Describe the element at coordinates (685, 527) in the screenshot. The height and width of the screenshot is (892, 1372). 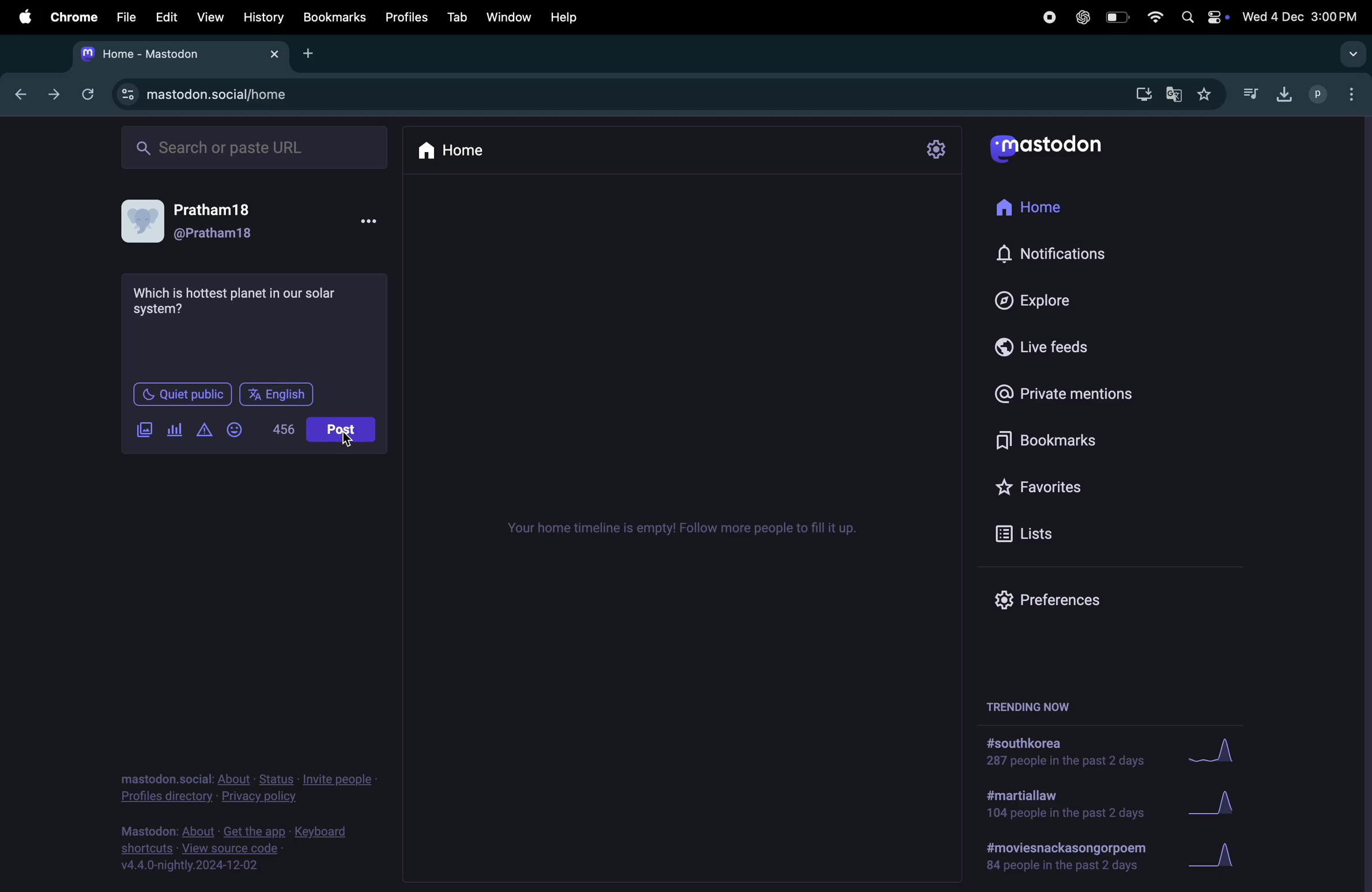
I see `Timeline` at that location.